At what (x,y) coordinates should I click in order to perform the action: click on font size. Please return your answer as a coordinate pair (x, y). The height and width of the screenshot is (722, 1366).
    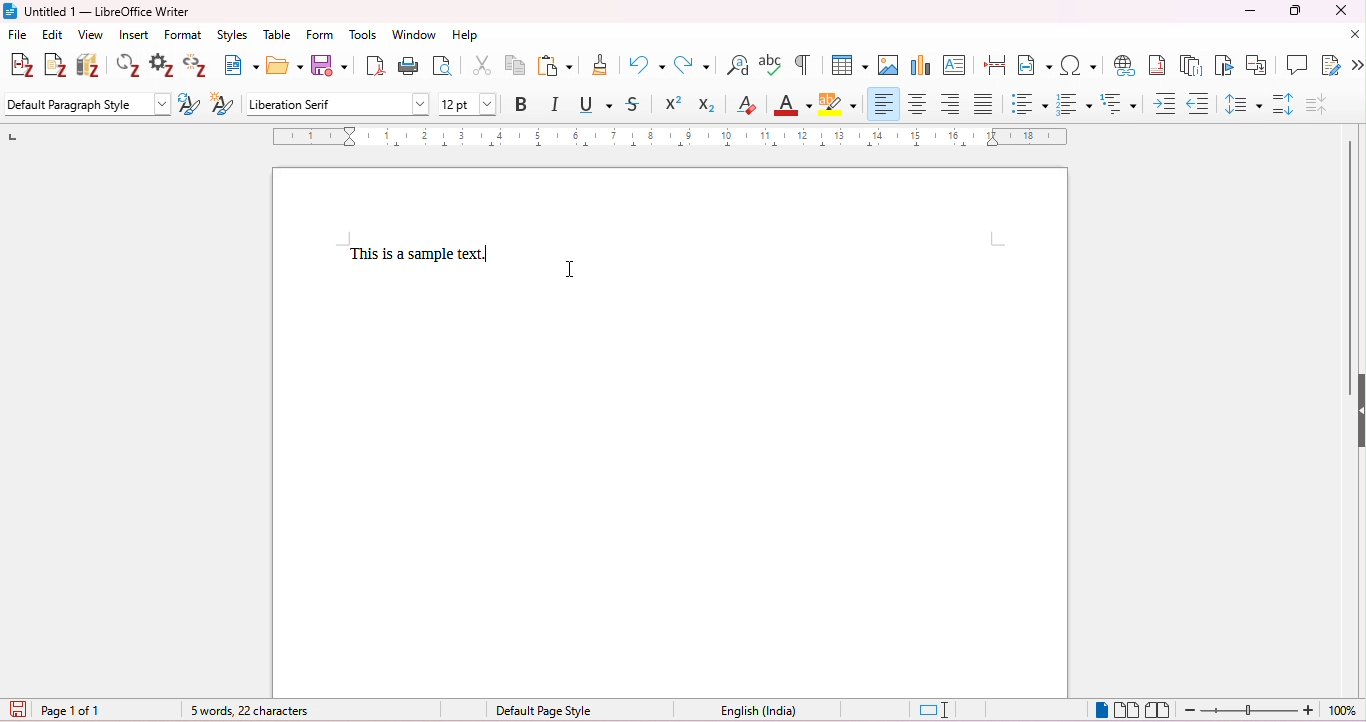
    Looking at the image, I should click on (469, 104).